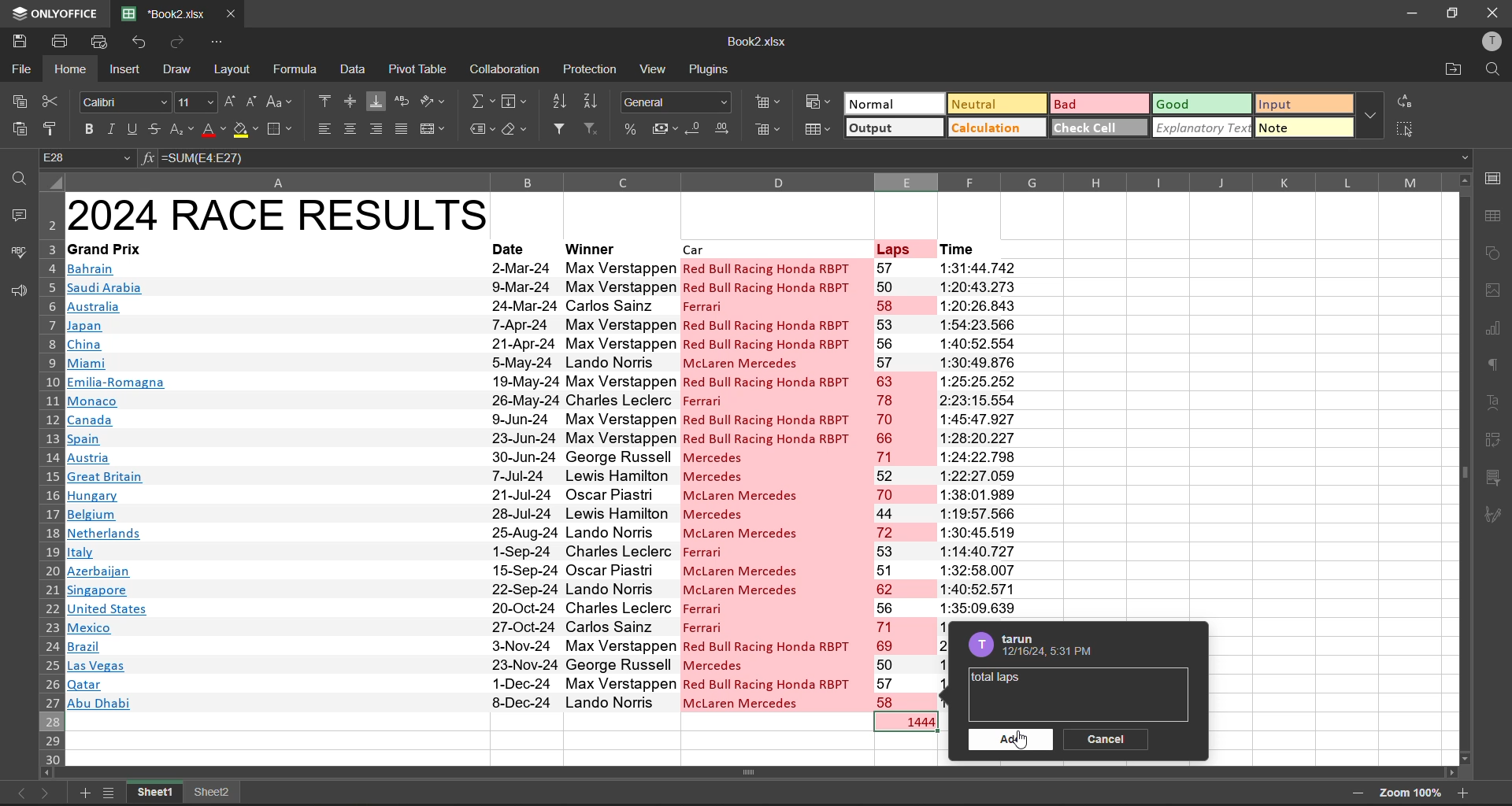  What do you see at coordinates (513, 128) in the screenshot?
I see `clear` at bounding box center [513, 128].